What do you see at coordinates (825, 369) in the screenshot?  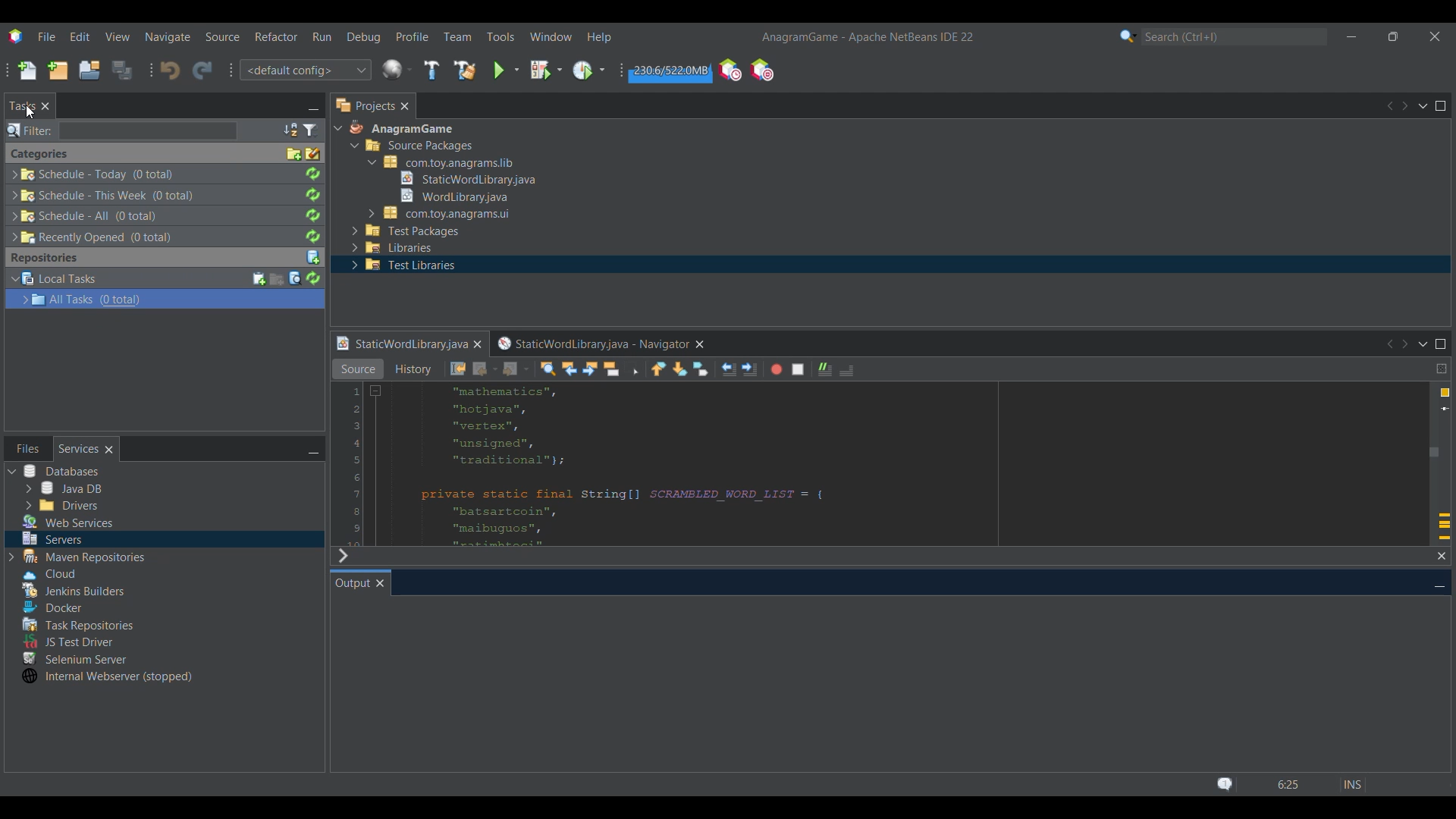 I see `Comment` at bounding box center [825, 369].